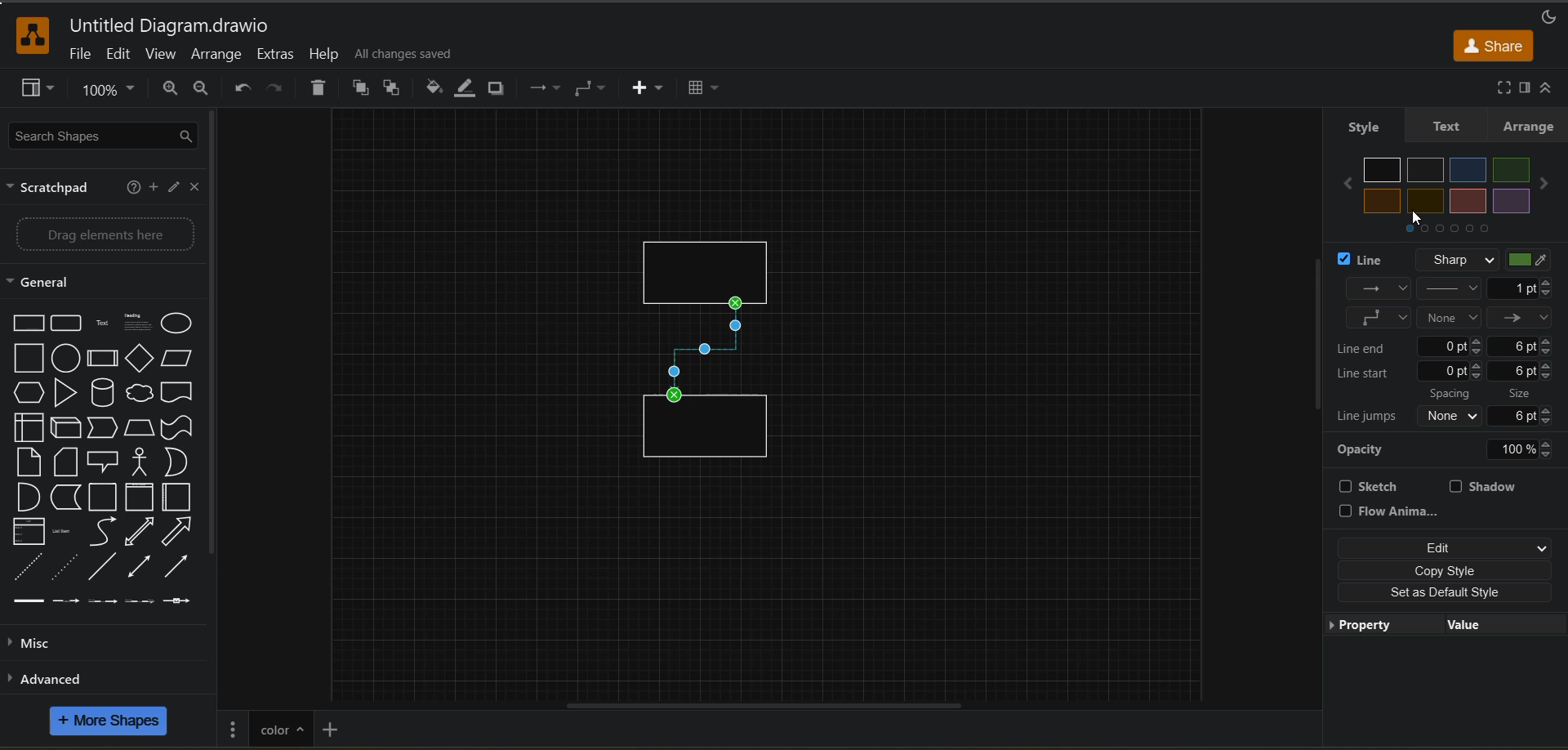  What do you see at coordinates (180, 463) in the screenshot?
I see `OR` at bounding box center [180, 463].